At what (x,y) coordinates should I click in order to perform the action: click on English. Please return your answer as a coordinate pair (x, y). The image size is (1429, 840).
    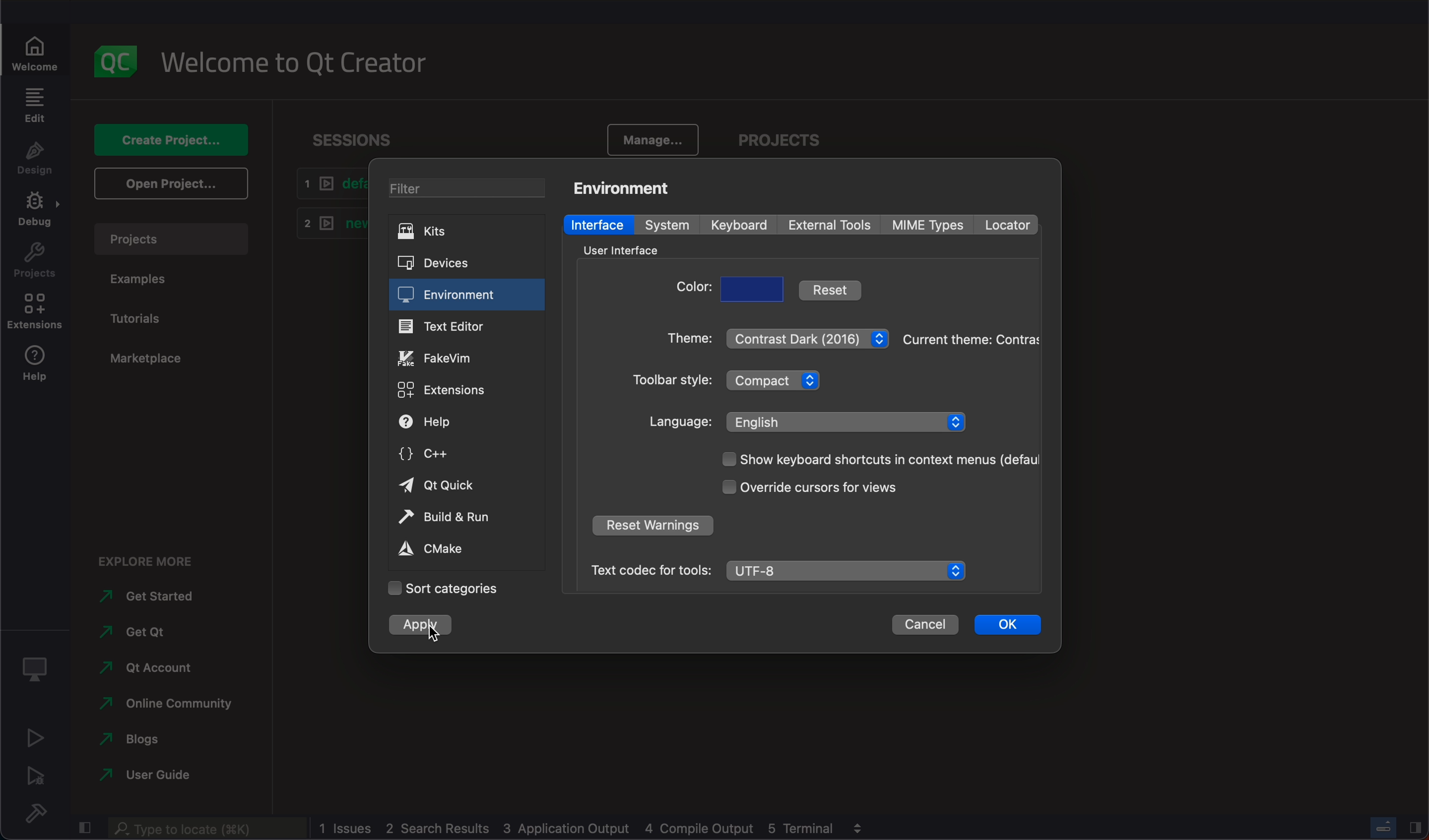
    Looking at the image, I should click on (846, 423).